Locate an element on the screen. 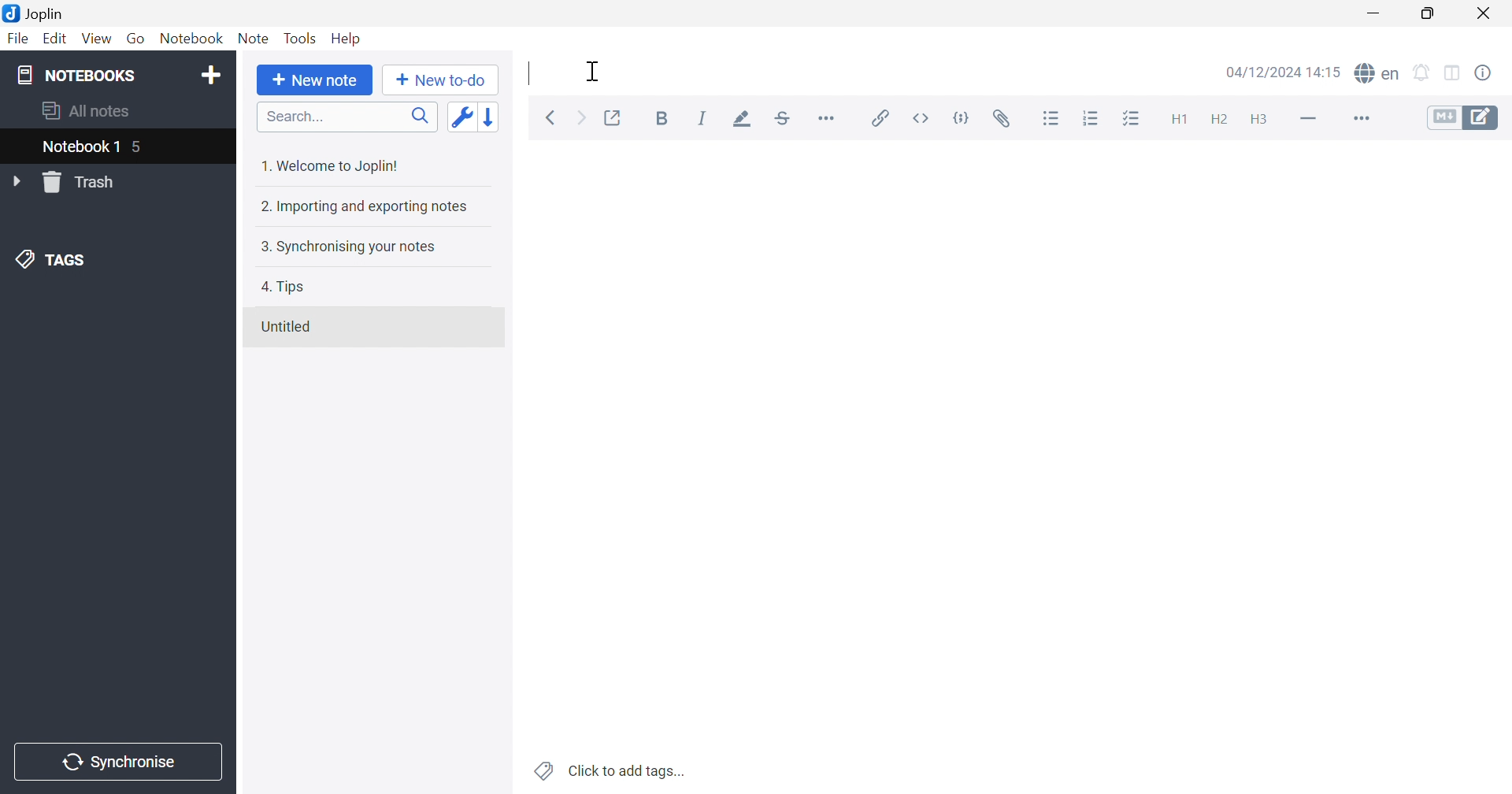 The width and height of the screenshot is (1512, 794). Highlight is located at coordinates (738, 121).